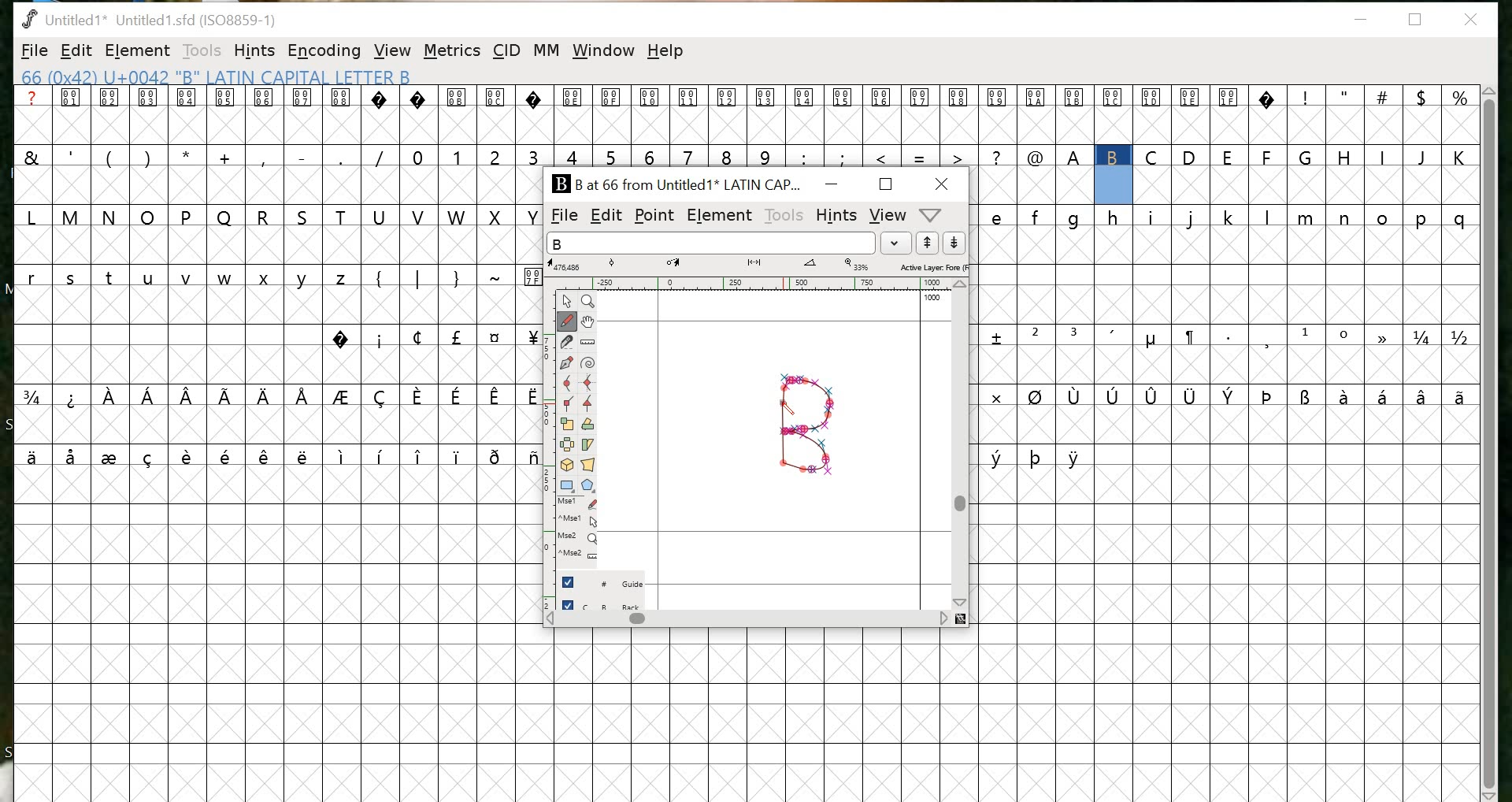  I want to click on FILE, so click(561, 216).